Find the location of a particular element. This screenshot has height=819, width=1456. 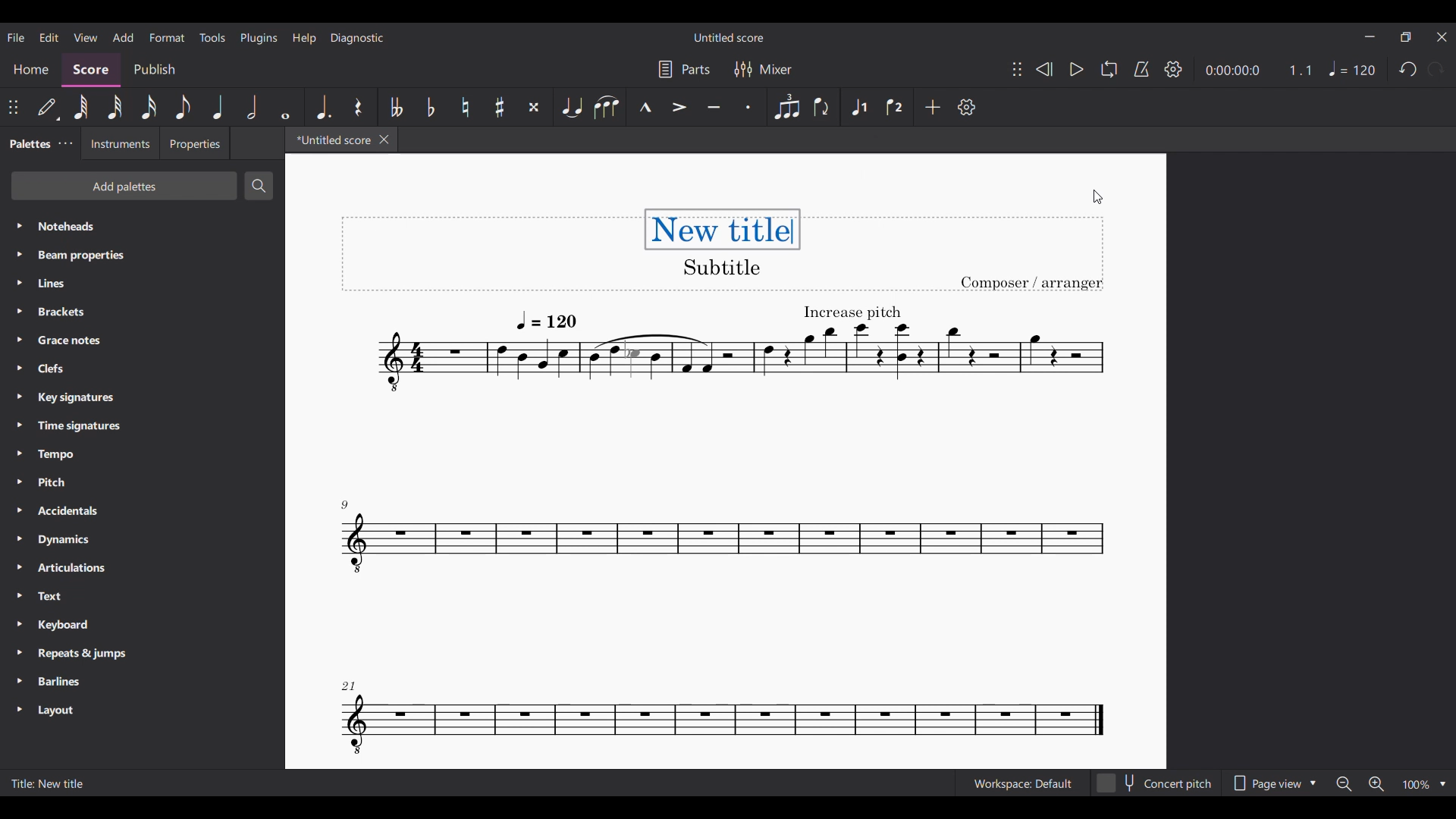

Format menu is located at coordinates (167, 38).